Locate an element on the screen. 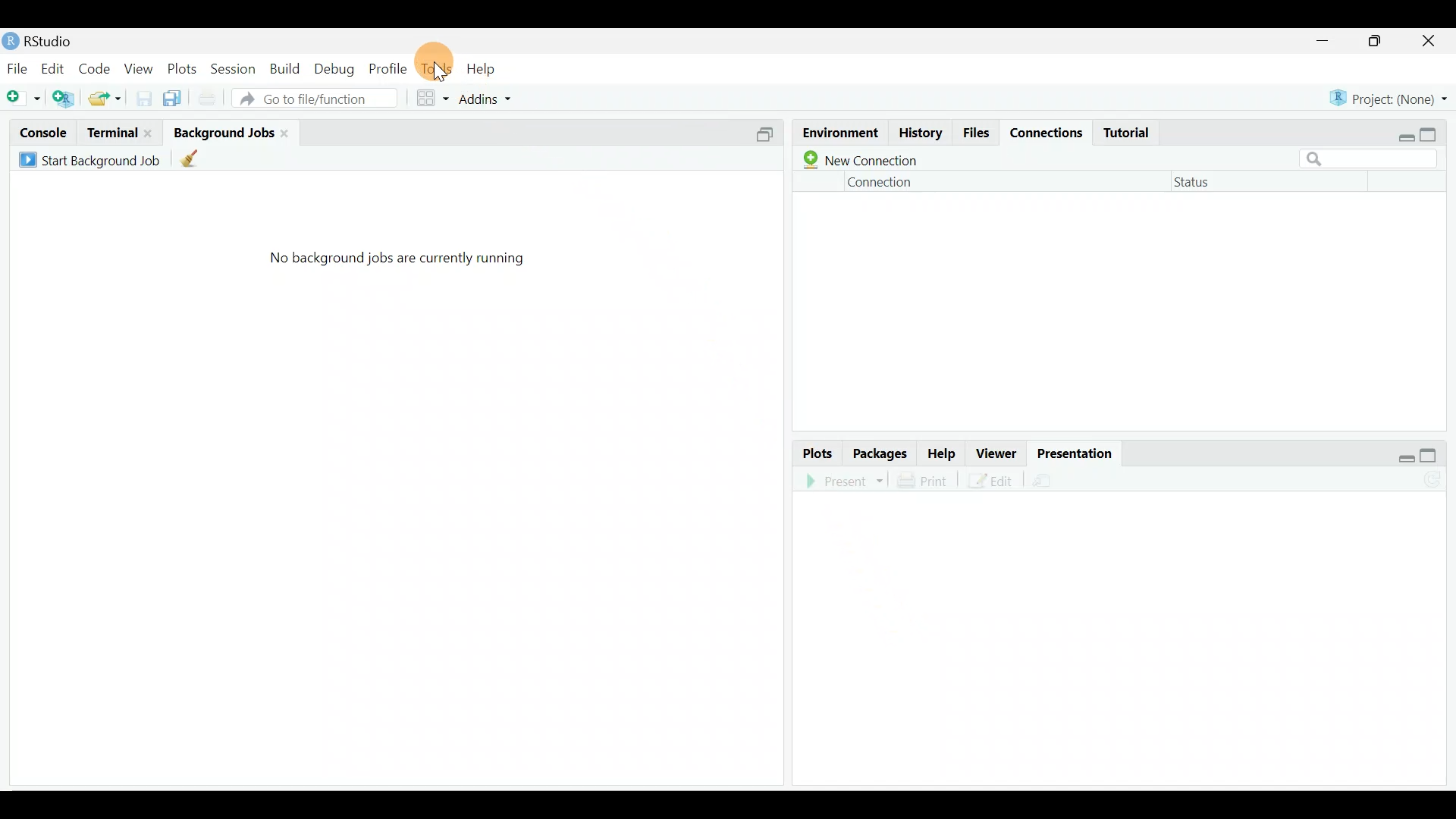 The width and height of the screenshot is (1456, 819). Start Background Job is located at coordinates (93, 161).